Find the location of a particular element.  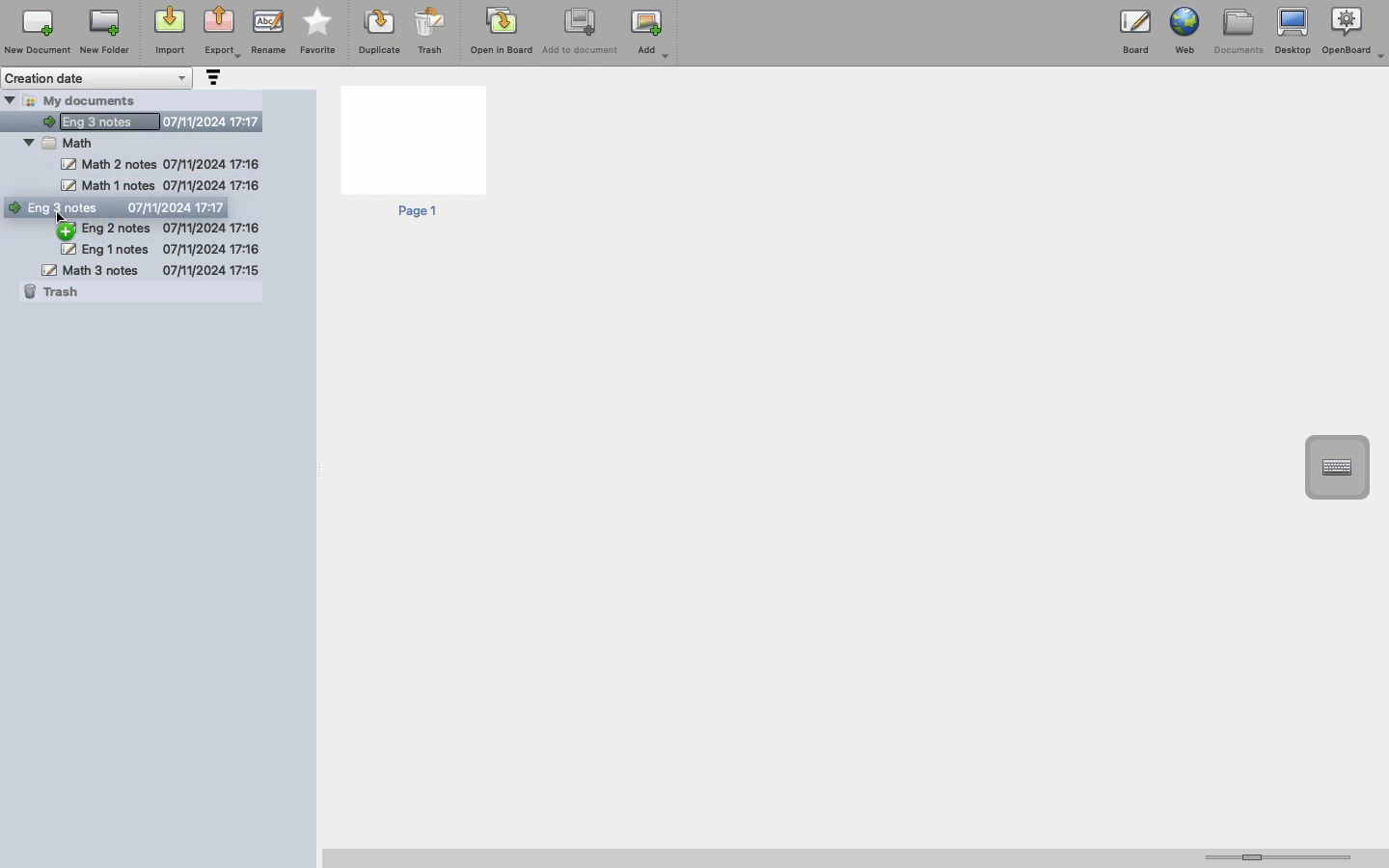

Trash is located at coordinates (55, 292).